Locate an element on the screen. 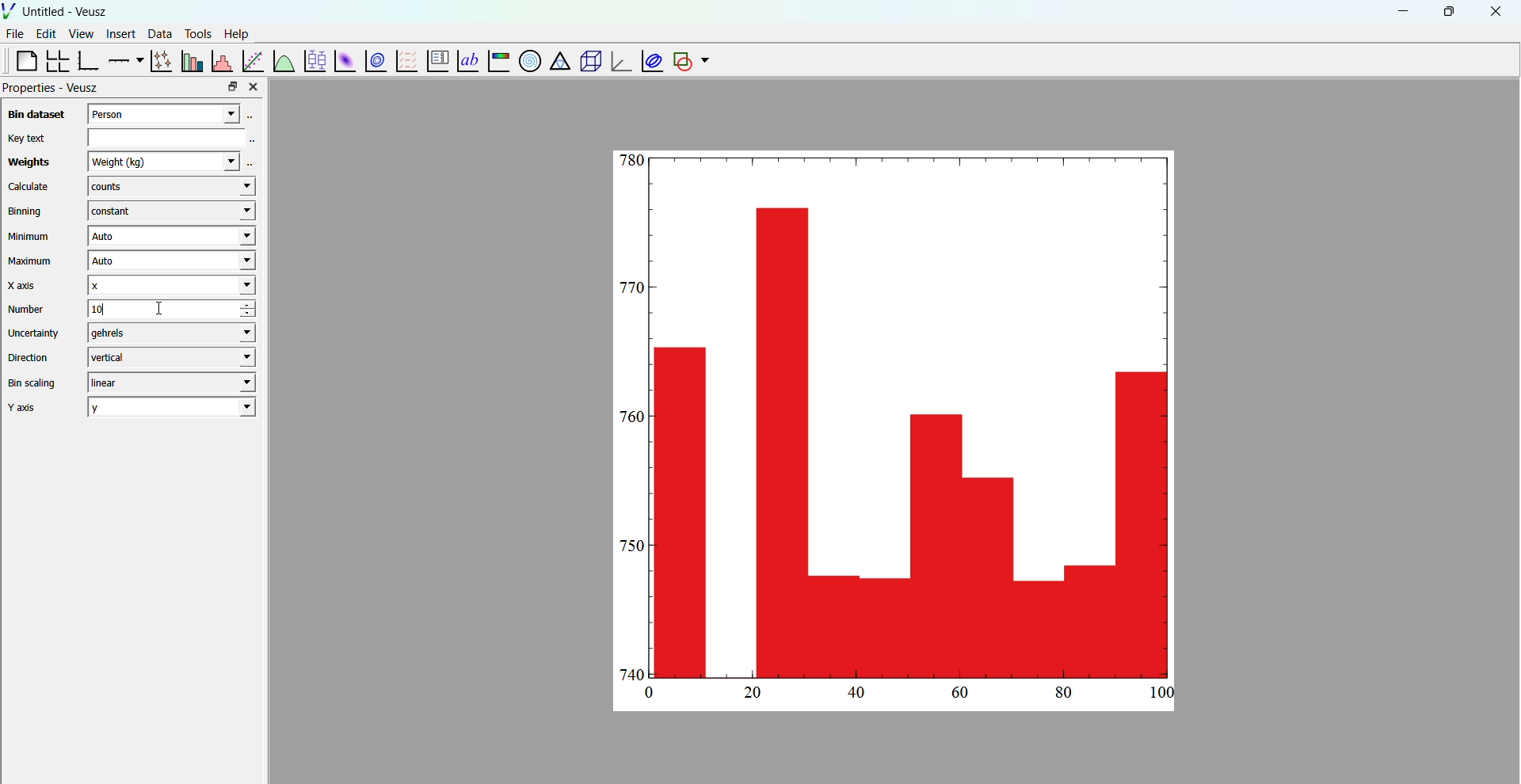 The height and width of the screenshot is (784, 1521). maximize property bar is located at coordinates (233, 87).